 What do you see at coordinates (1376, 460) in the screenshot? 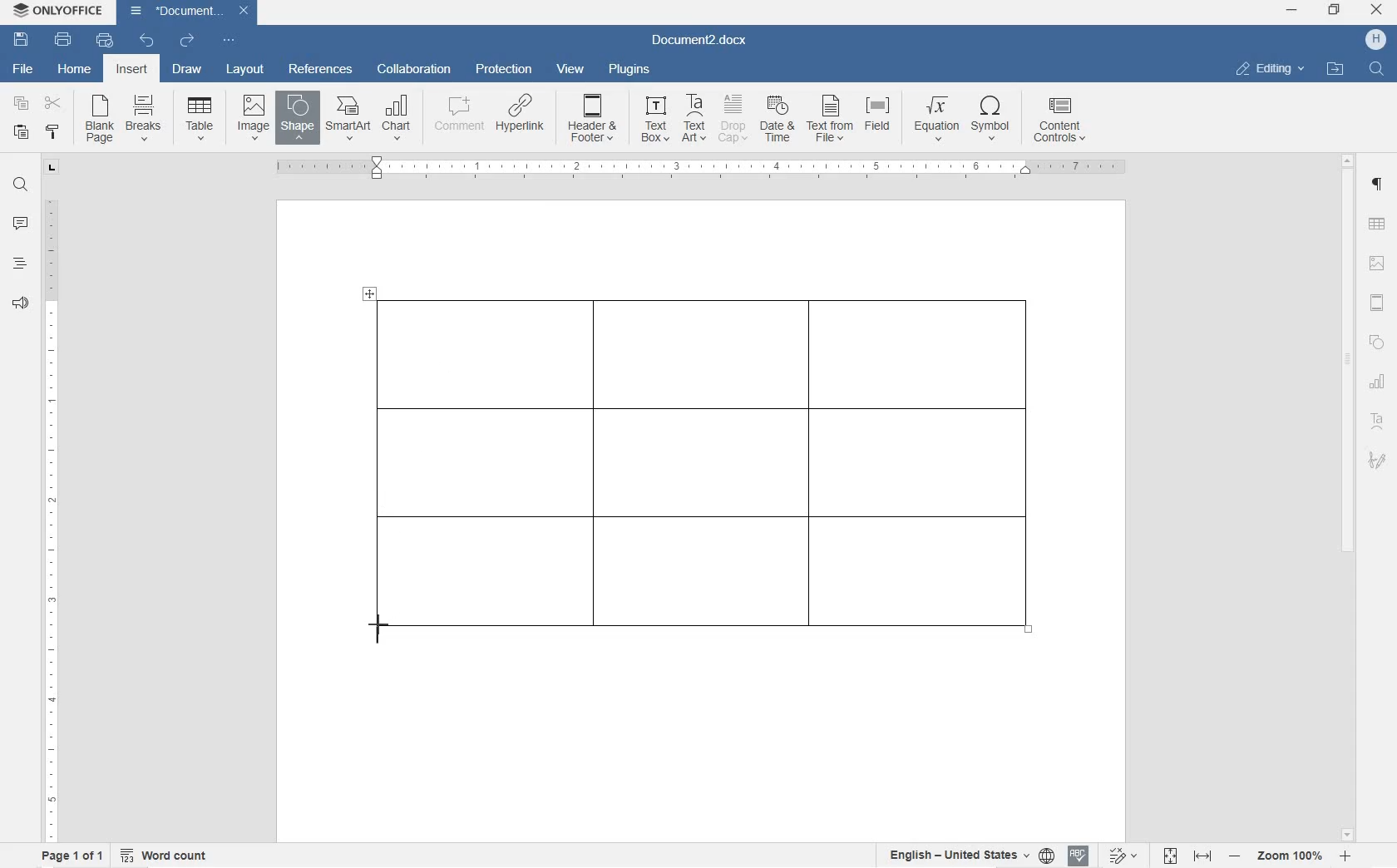
I see `signature` at bounding box center [1376, 460].